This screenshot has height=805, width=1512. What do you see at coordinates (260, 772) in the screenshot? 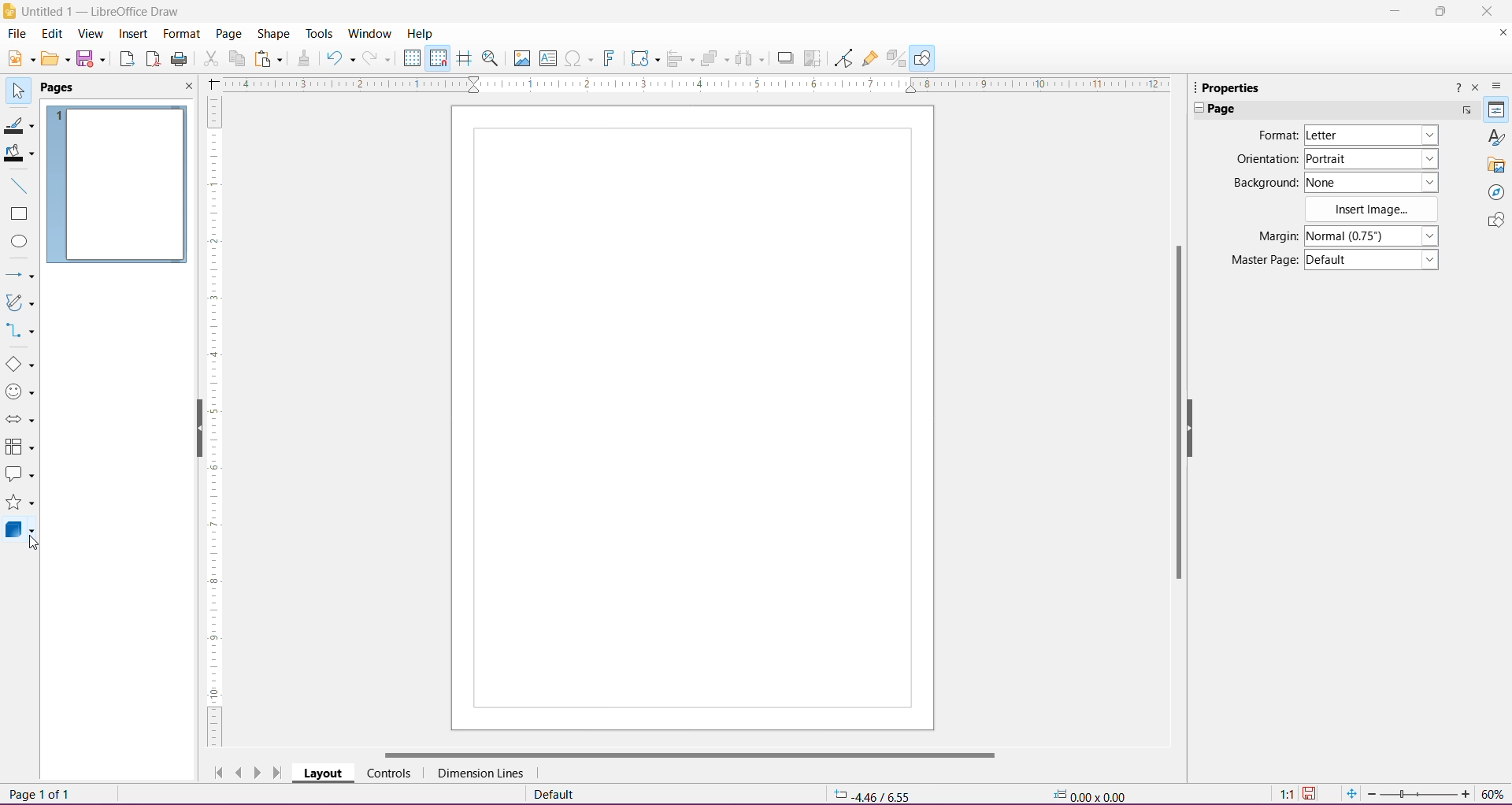
I see `Scroll to next page` at bounding box center [260, 772].